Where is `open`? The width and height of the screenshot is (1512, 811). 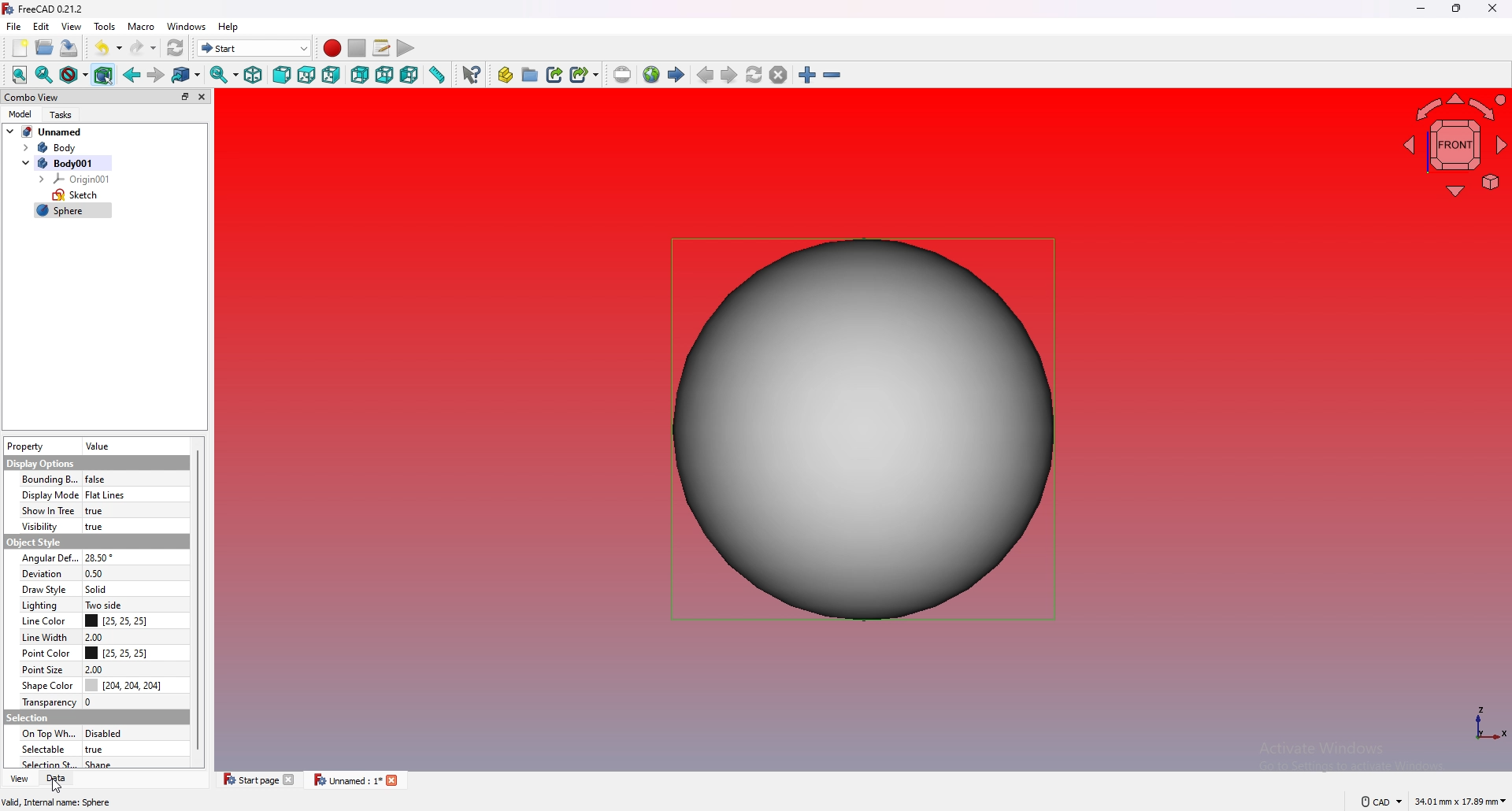 open is located at coordinates (45, 48).